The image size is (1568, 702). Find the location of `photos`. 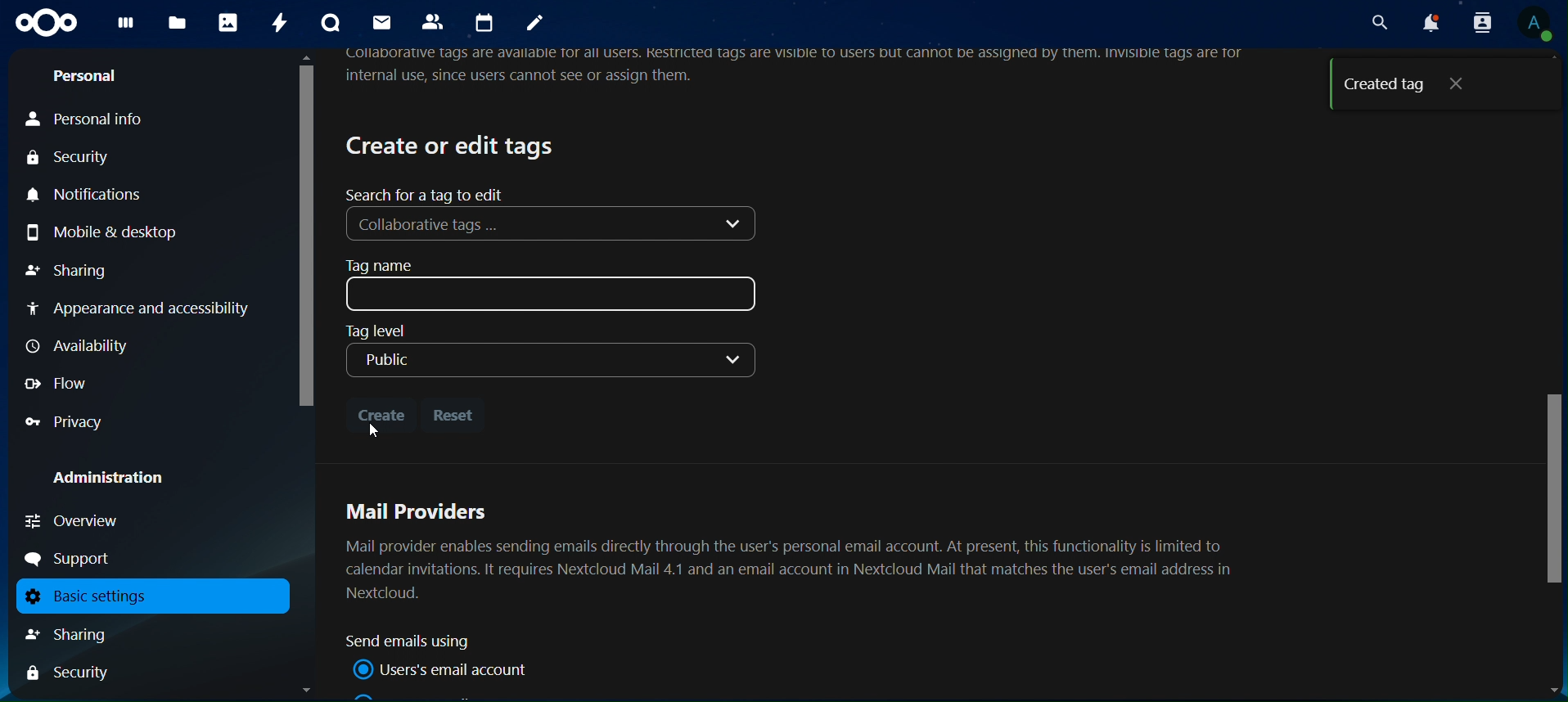

photos is located at coordinates (228, 23).